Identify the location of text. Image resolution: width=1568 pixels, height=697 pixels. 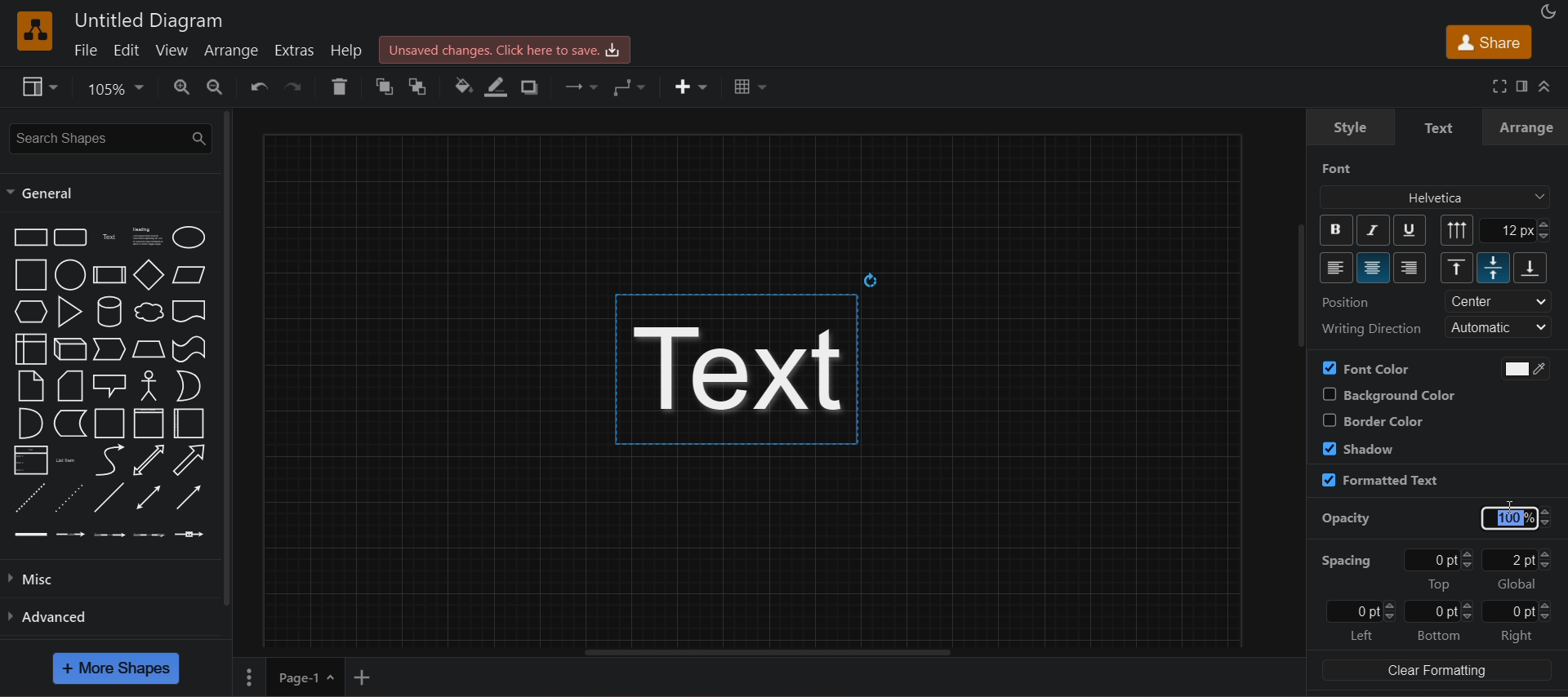
(751, 355).